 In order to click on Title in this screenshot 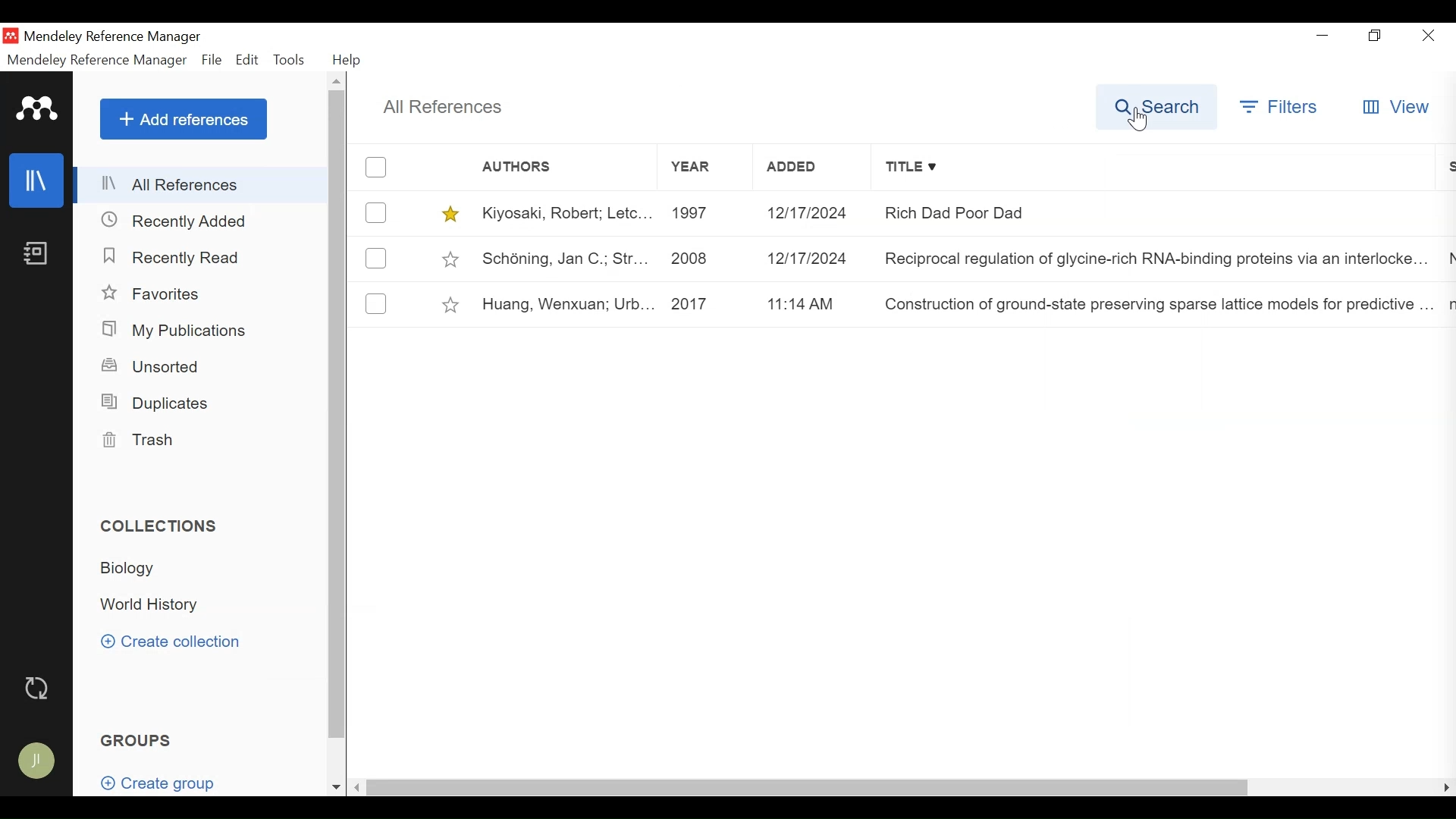, I will do `click(1159, 168)`.